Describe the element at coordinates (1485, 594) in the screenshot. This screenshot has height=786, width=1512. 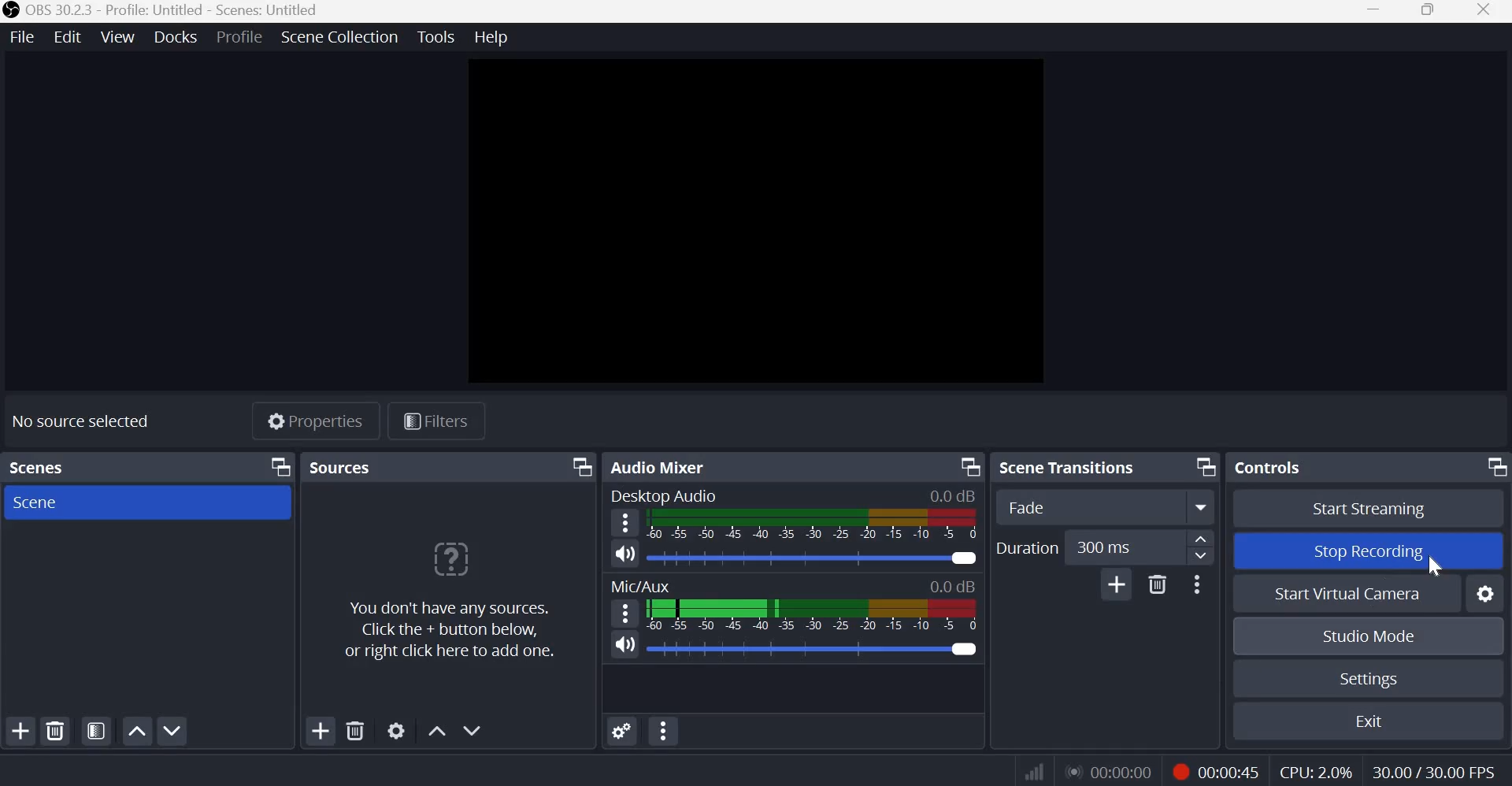
I see `Configure virtual camera` at that location.